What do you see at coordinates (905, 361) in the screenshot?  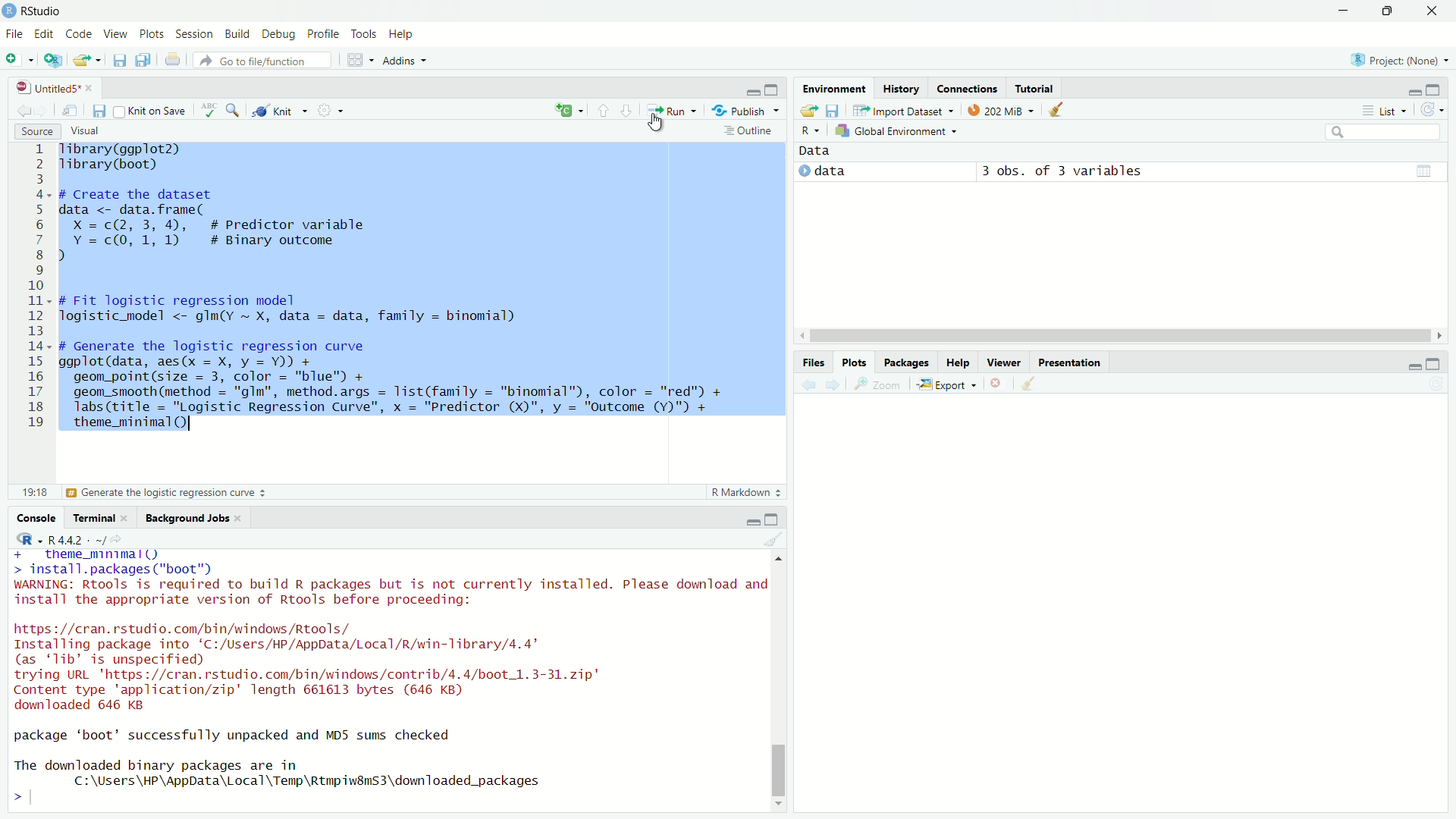 I see `Packages` at bounding box center [905, 361].